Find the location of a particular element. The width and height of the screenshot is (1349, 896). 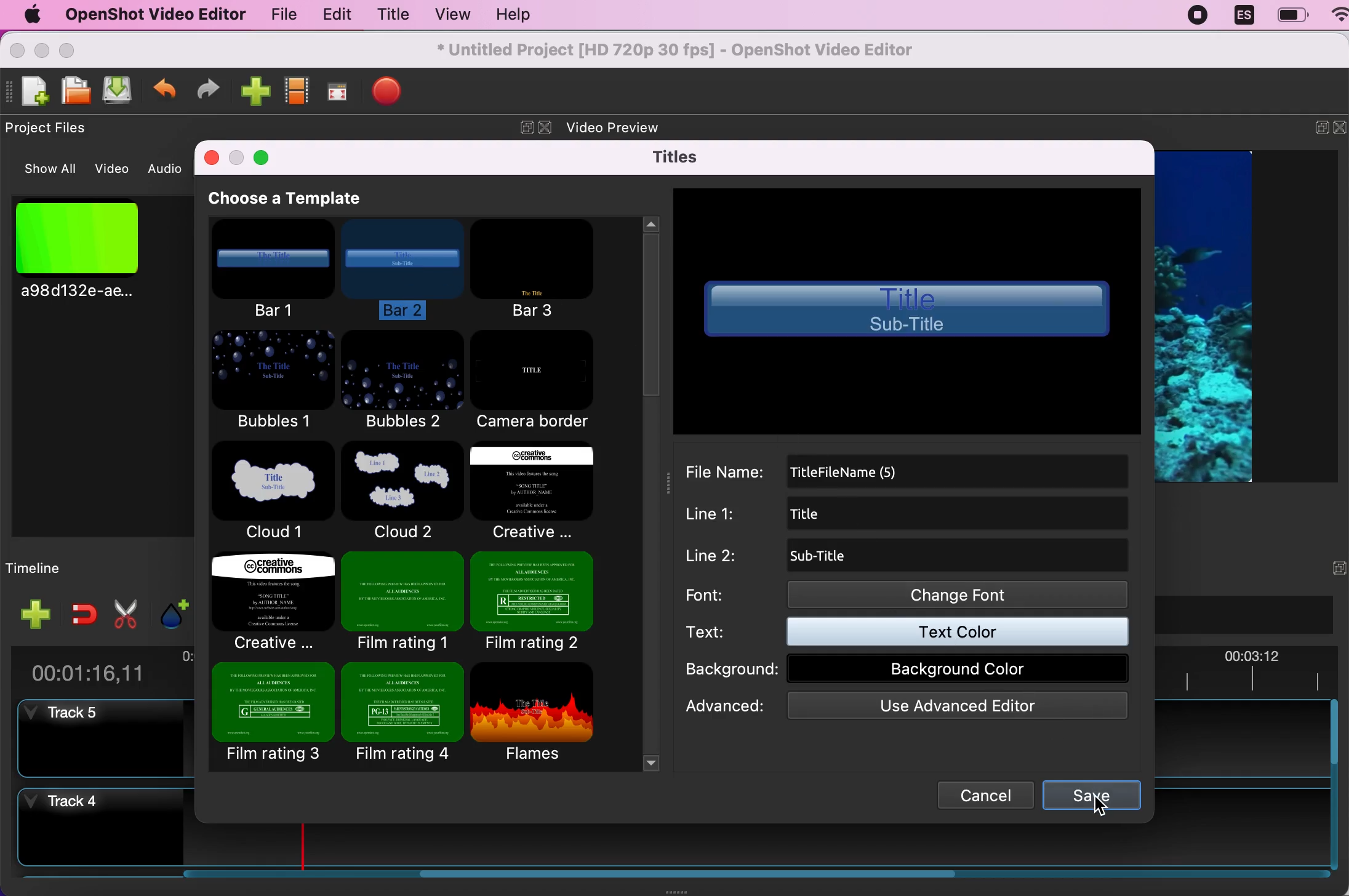

new file is located at coordinates (30, 92).